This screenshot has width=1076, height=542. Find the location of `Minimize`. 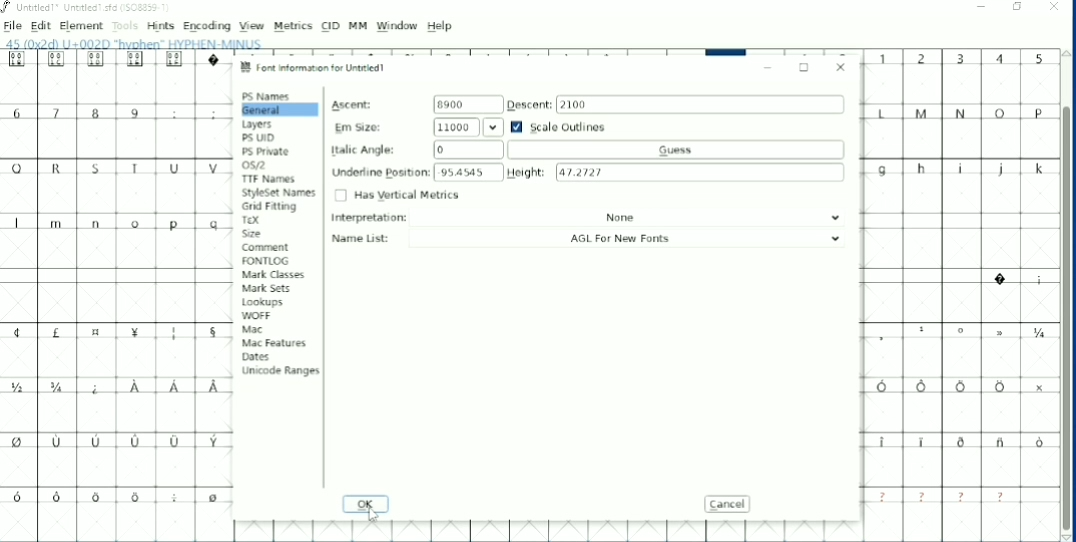

Minimize is located at coordinates (983, 8).